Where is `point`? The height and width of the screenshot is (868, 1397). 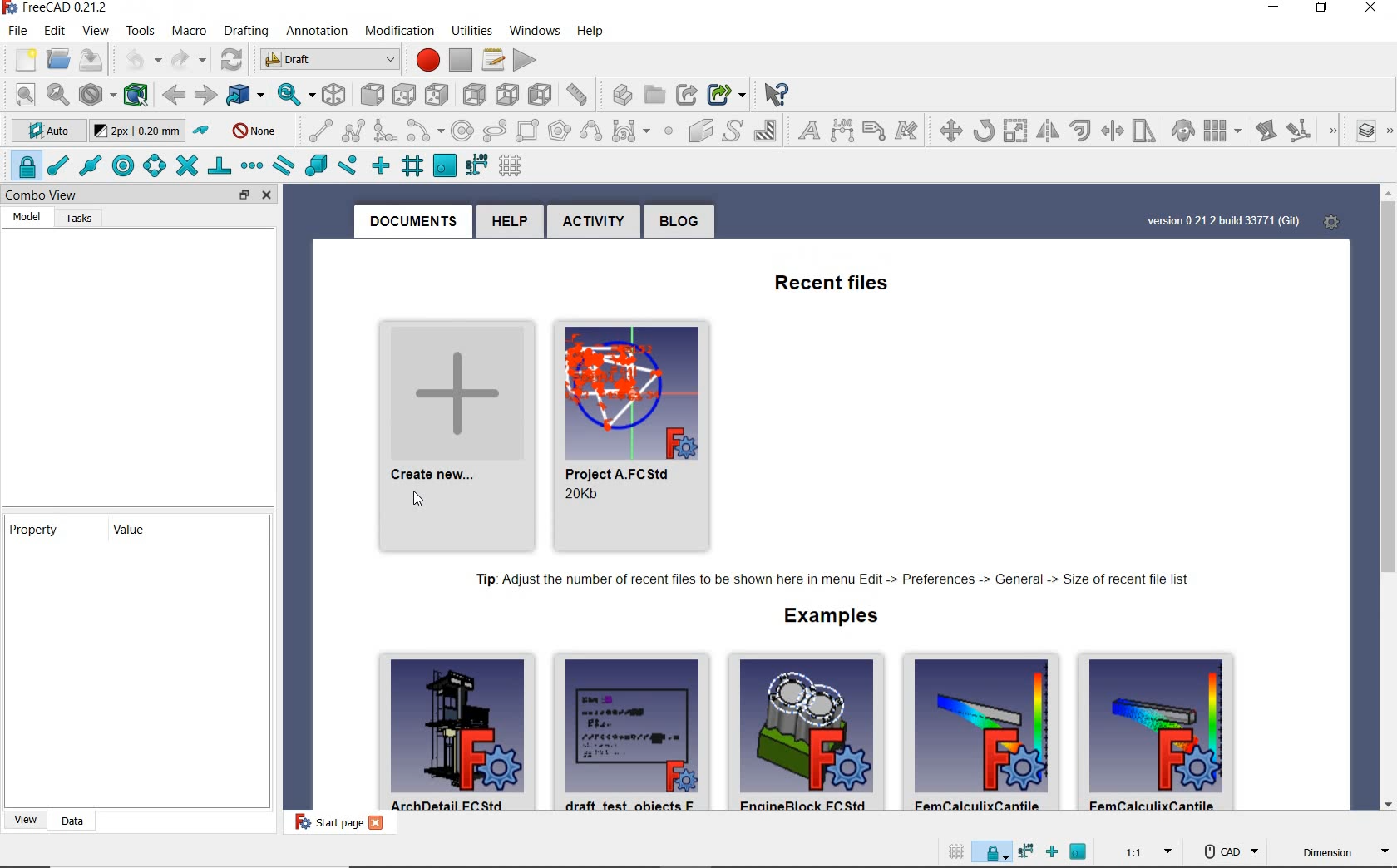
point is located at coordinates (669, 133).